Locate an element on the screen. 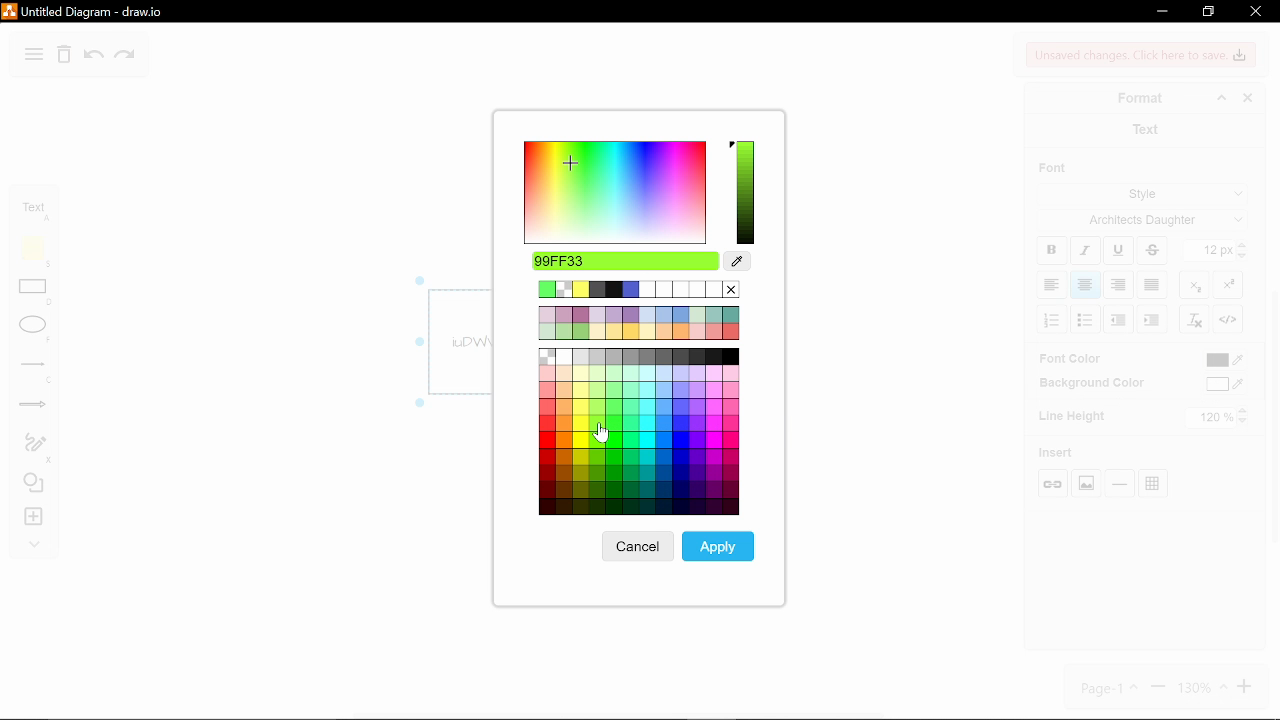 This screenshot has width=1280, height=720. increase line height is located at coordinates (1245, 408).